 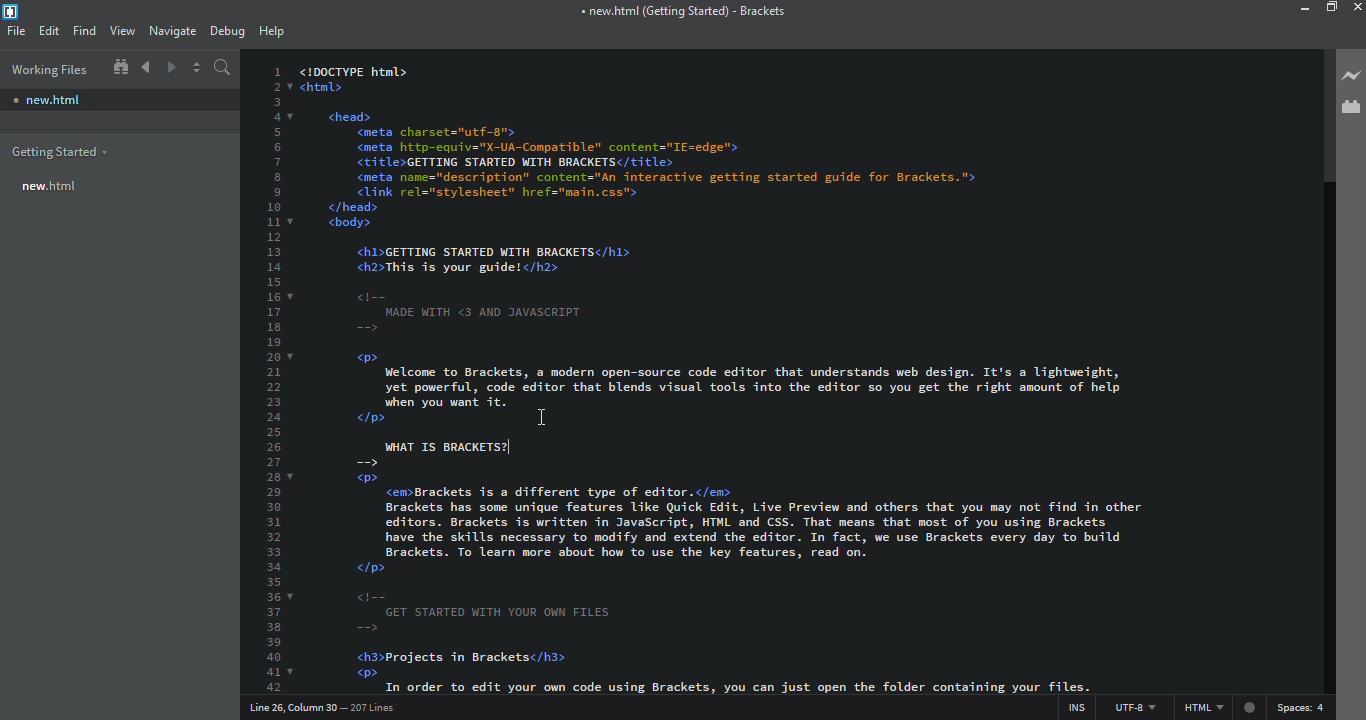 What do you see at coordinates (148, 67) in the screenshot?
I see `navigate back` at bounding box center [148, 67].